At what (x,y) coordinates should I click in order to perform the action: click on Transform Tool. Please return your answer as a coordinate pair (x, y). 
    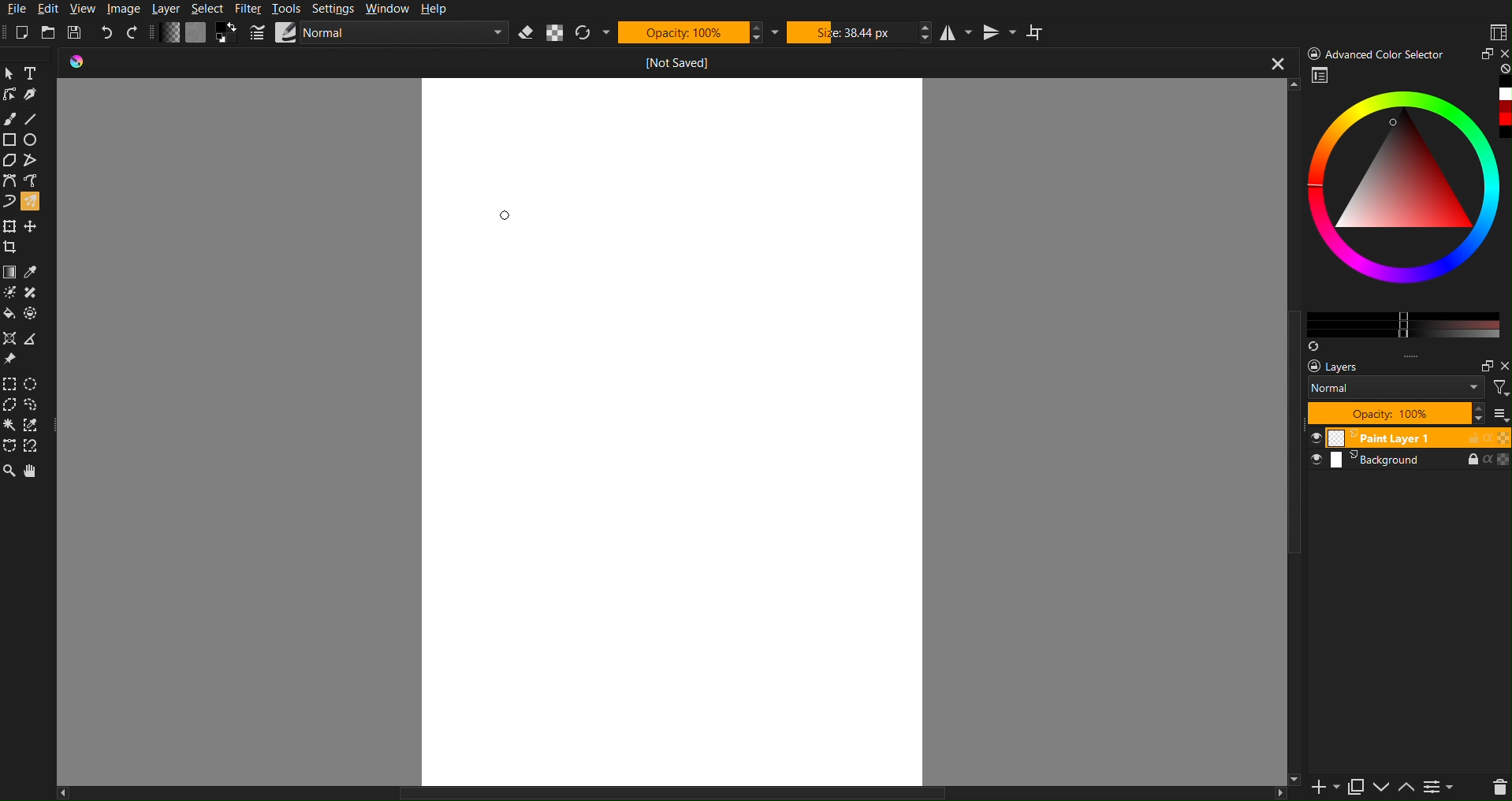
    Looking at the image, I should click on (10, 225).